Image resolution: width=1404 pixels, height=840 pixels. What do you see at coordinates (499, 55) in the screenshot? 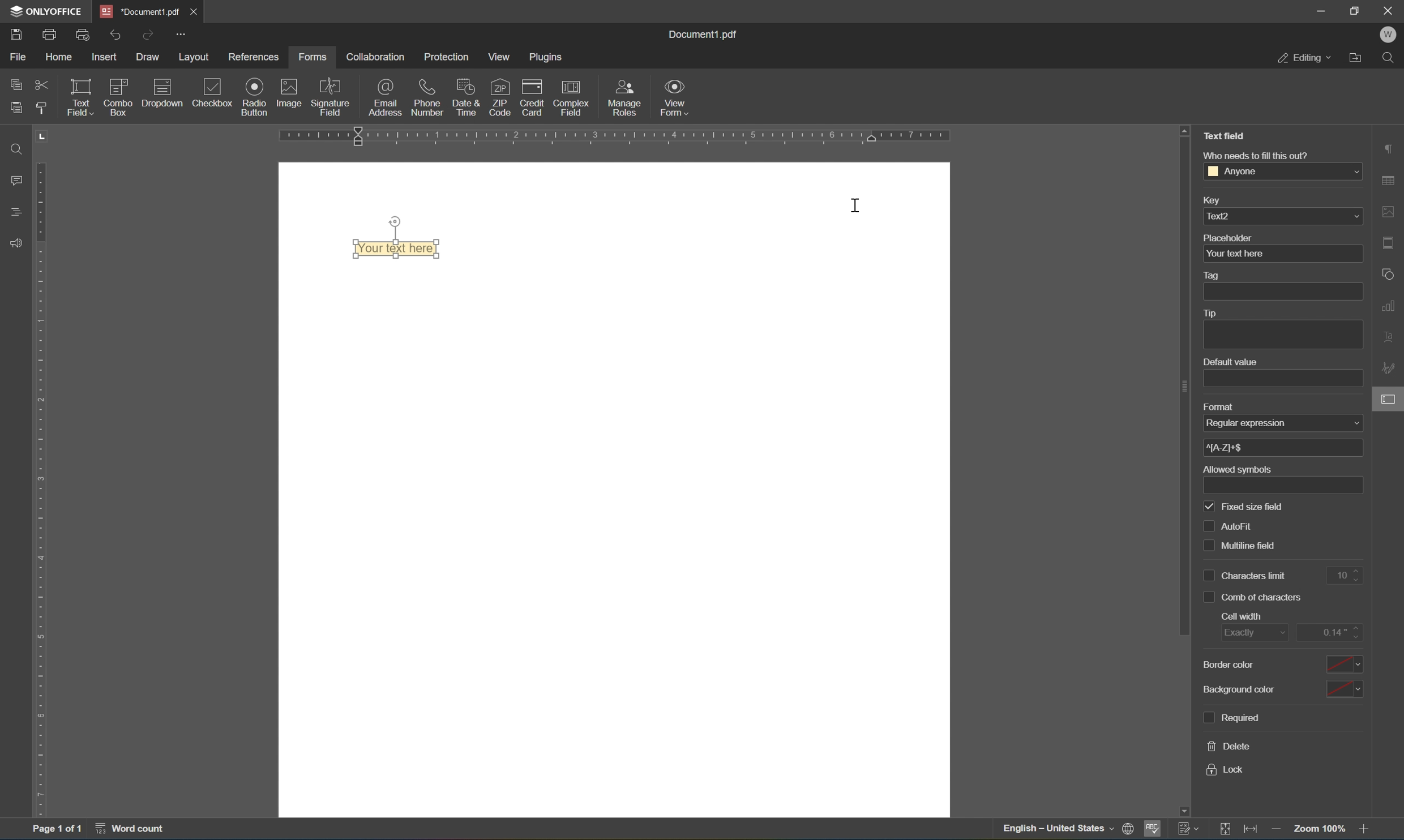
I see `view` at bounding box center [499, 55].